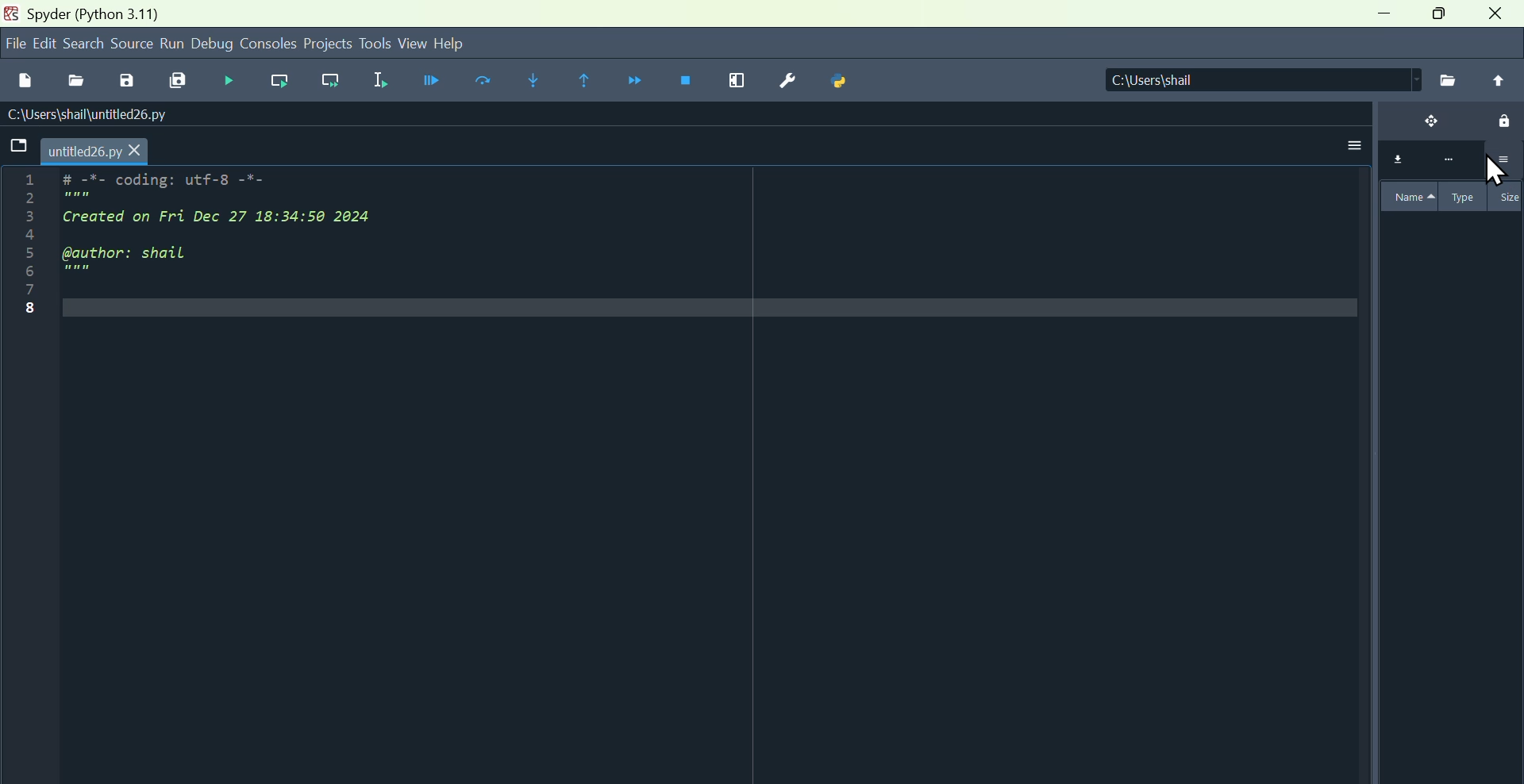 Image resolution: width=1524 pixels, height=784 pixels. I want to click on Step into function, so click(533, 80).